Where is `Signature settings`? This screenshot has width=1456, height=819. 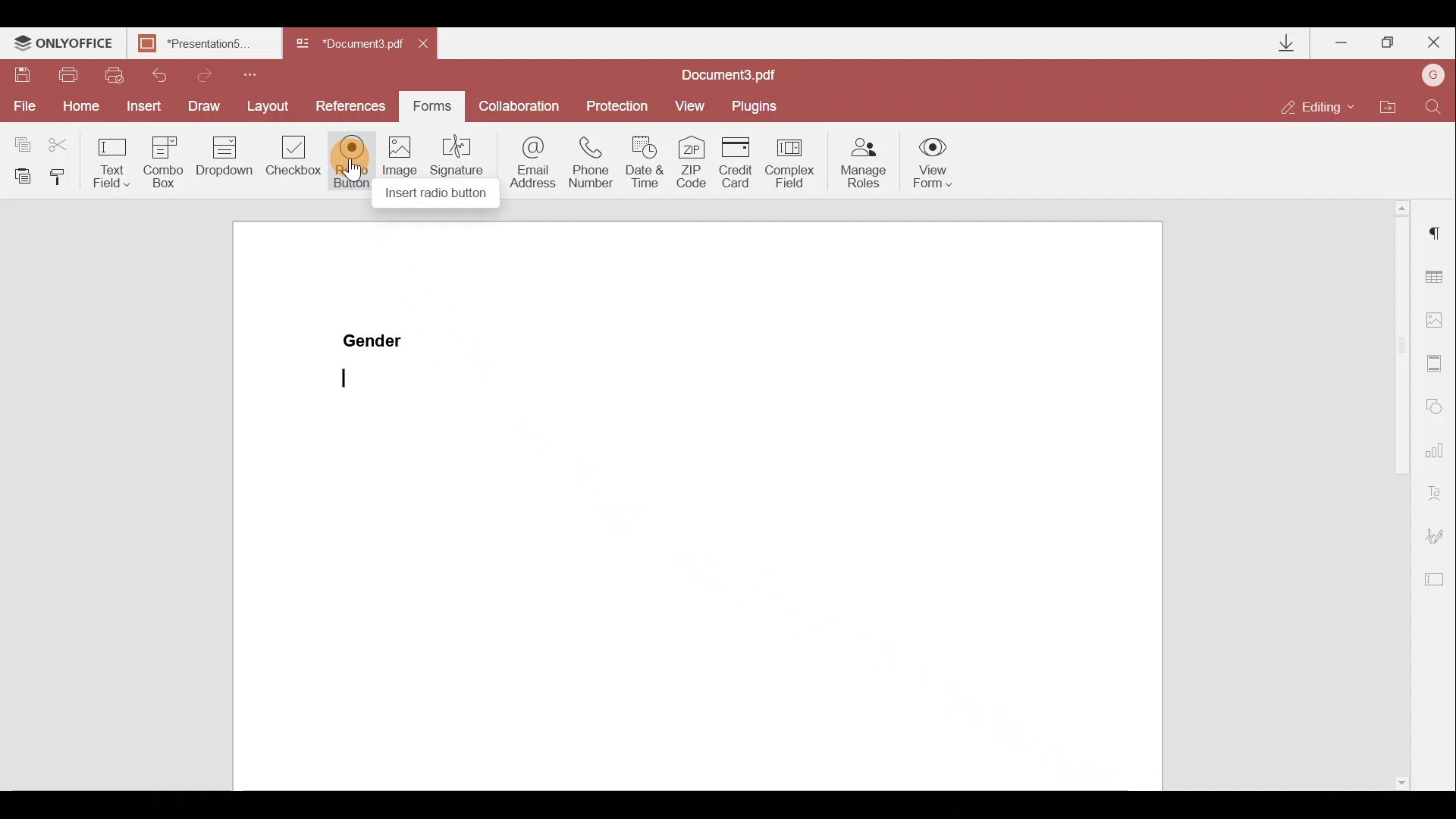 Signature settings is located at coordinates (1442, 536).